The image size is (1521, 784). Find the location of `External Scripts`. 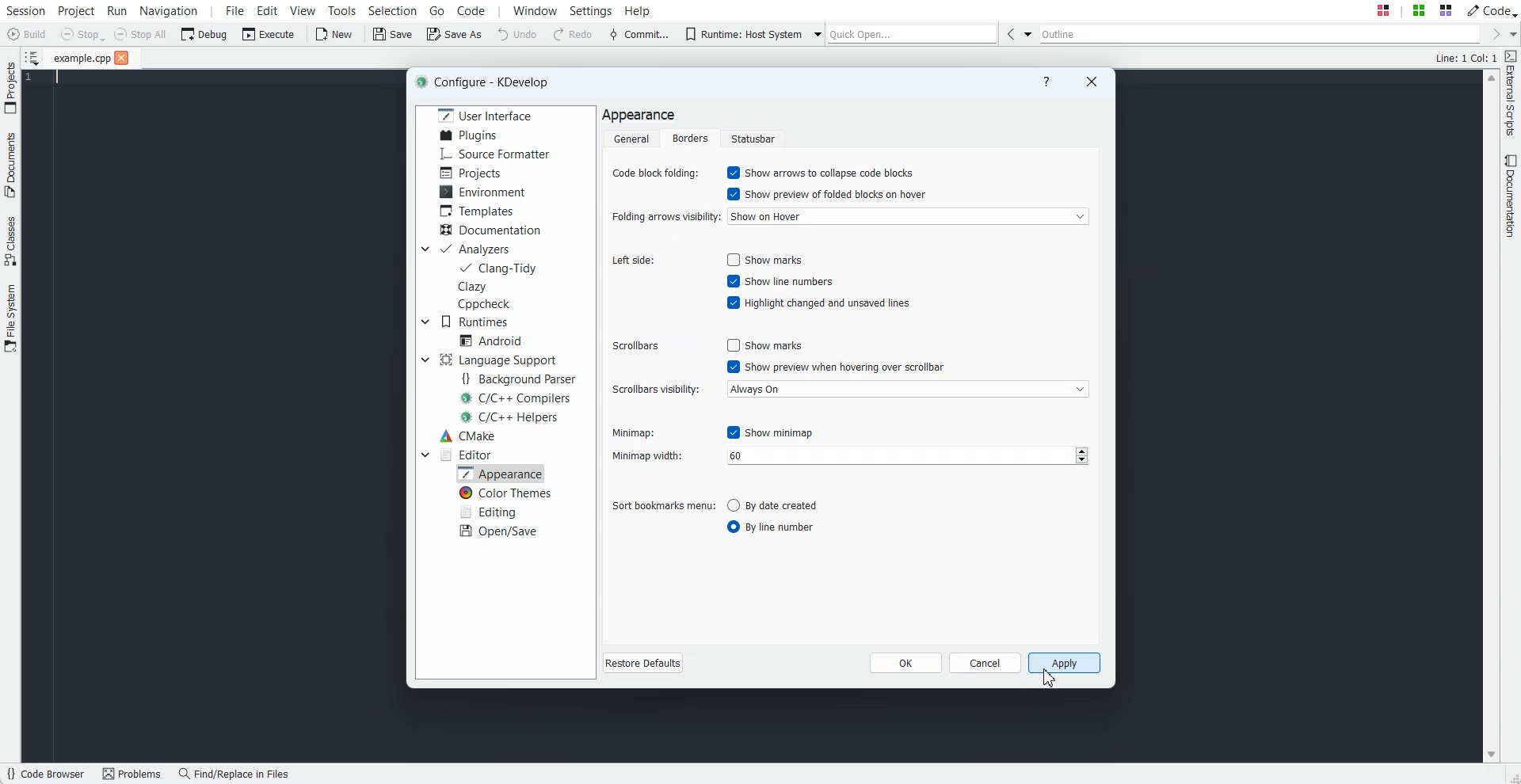

External Scripts is located at coordinates (1511, 93).